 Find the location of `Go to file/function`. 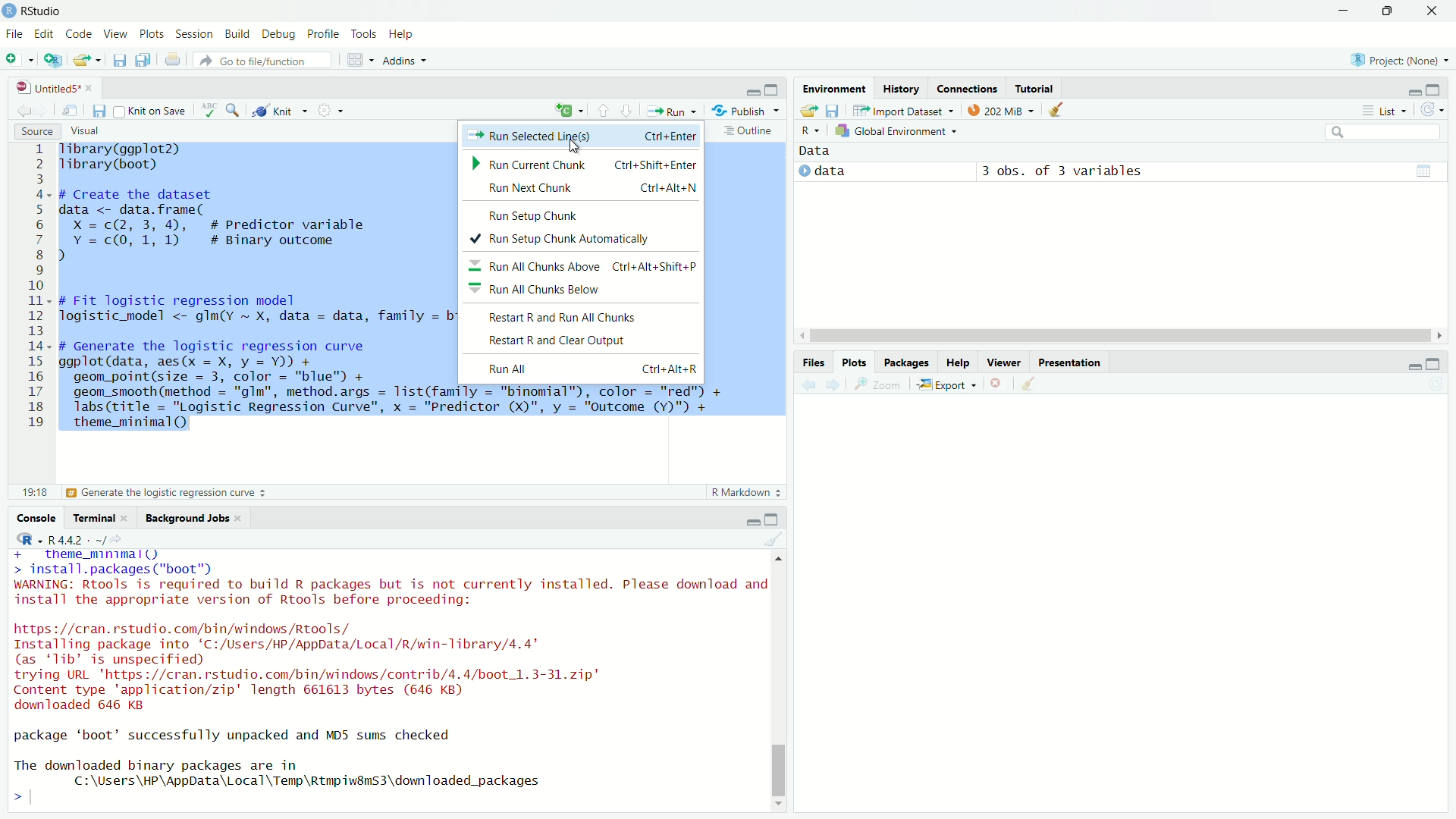

Go to file/function is located at coordinates (262, 60).